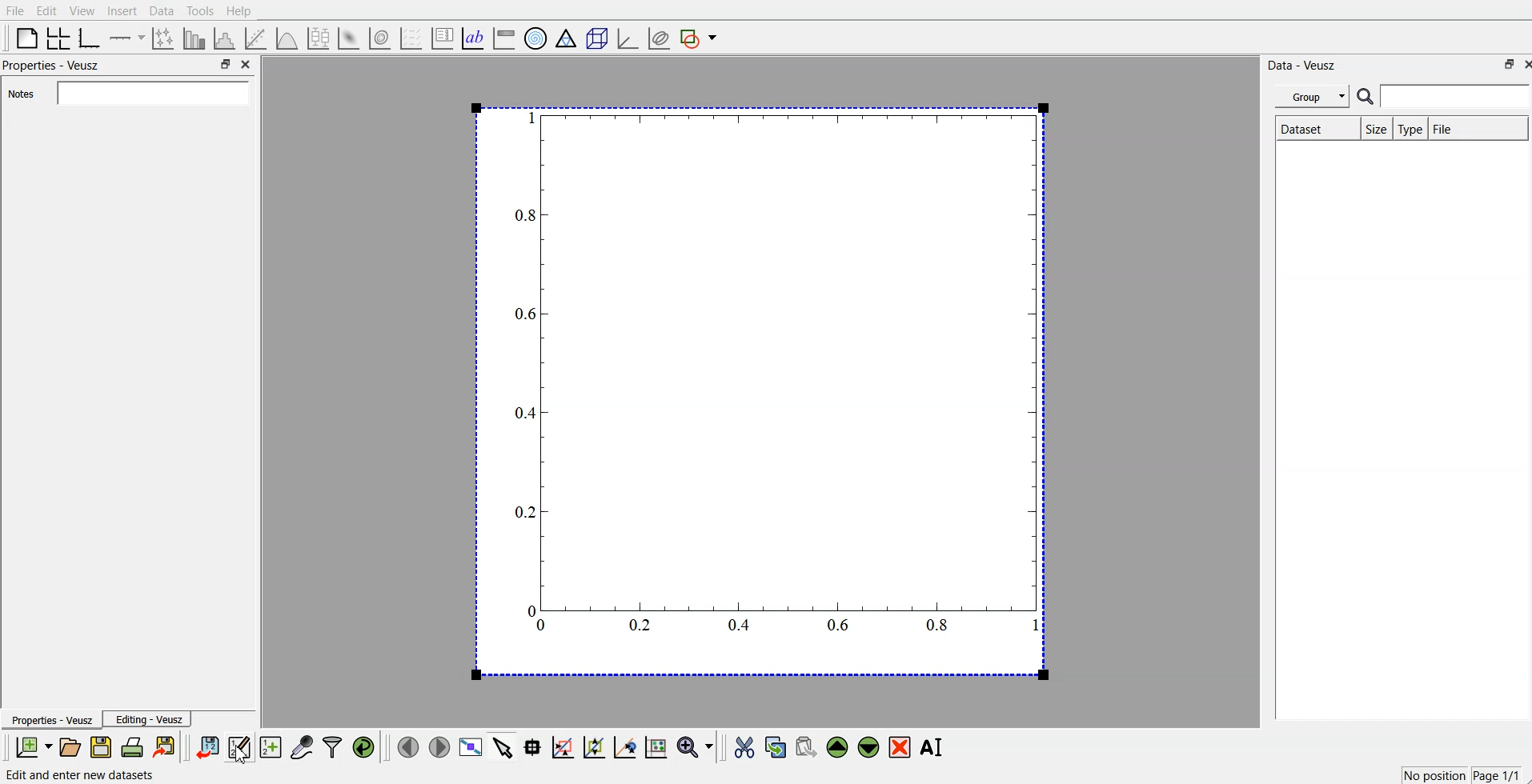 The image size is (1532, 784). Describe the element at coordinates (473, 37) in the screenshot. I see `text label` at that location.